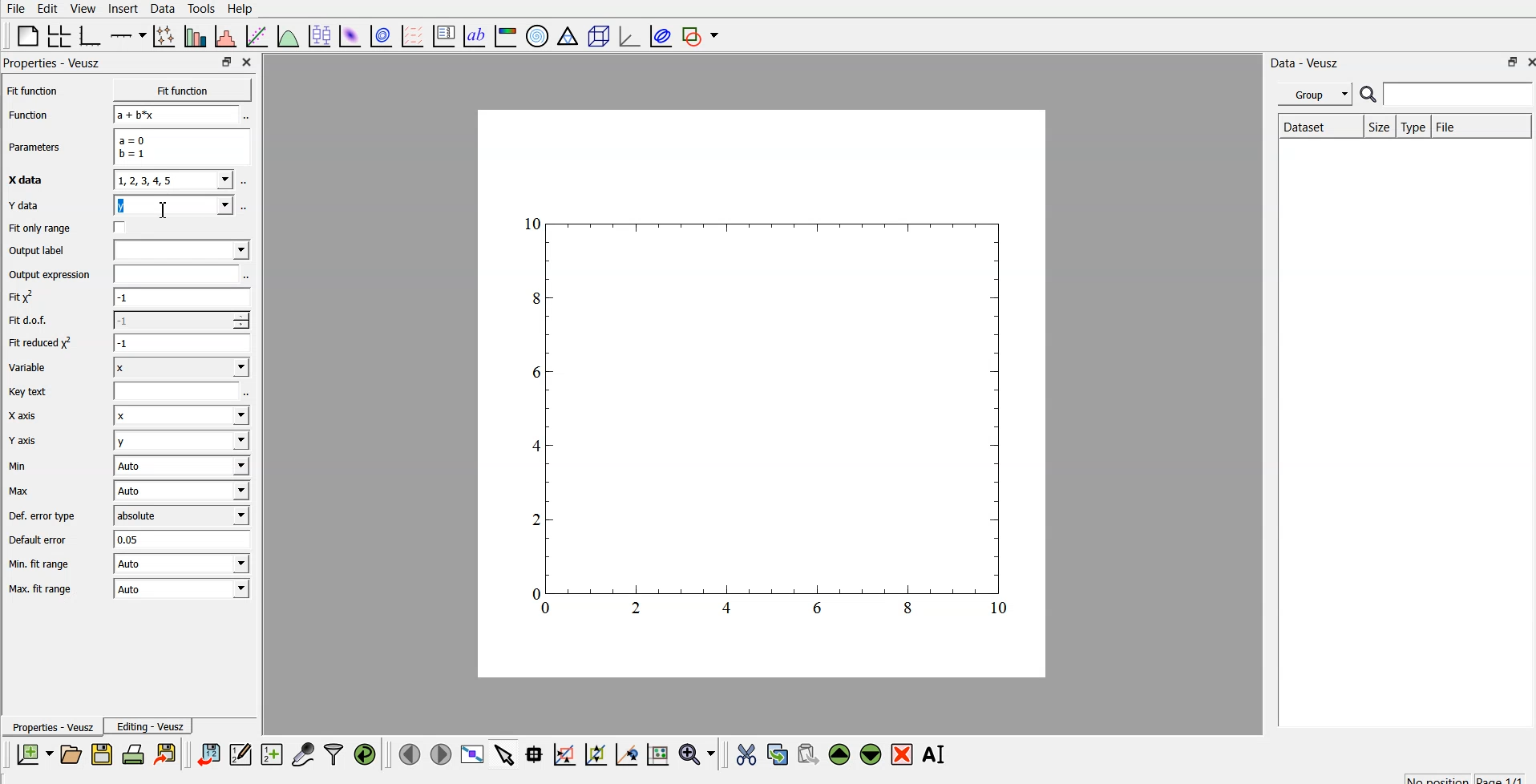  Describe the element at coordinates (164, 36) in the screenshot. I see `plot points` at that location.